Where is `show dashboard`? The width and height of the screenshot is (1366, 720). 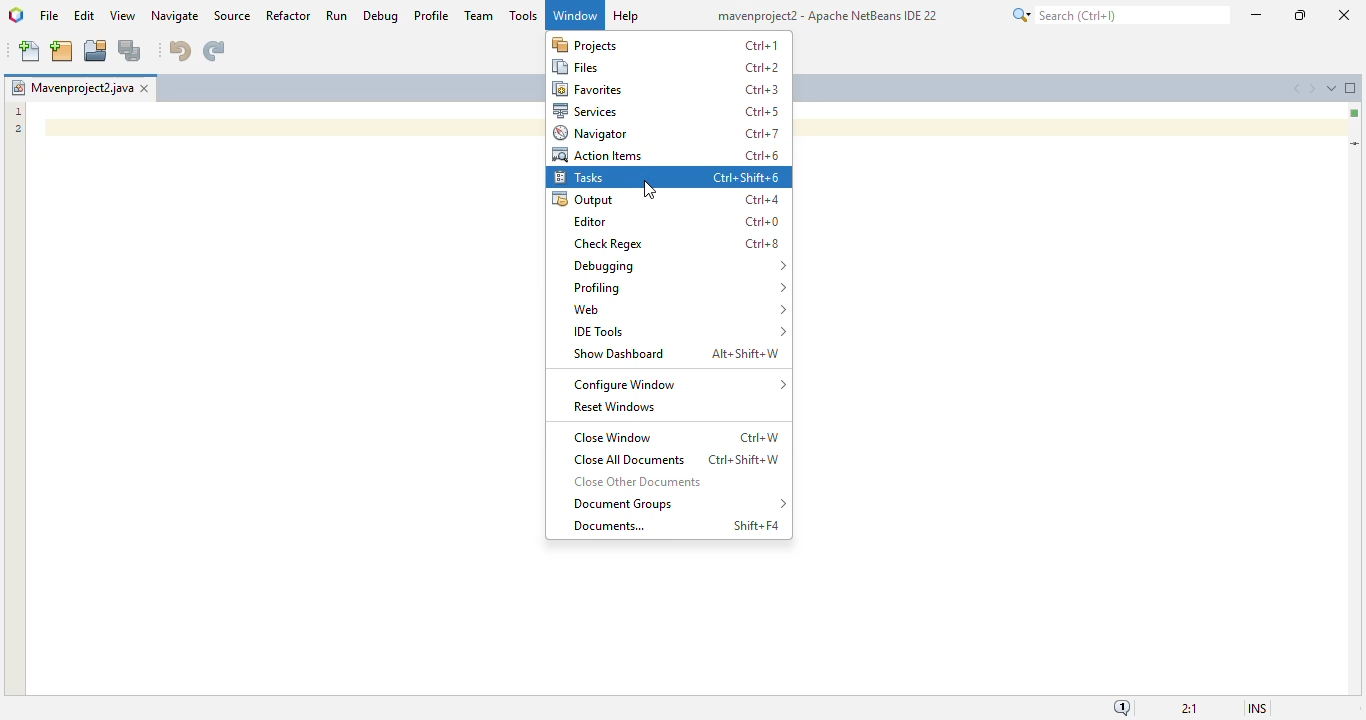 show dashboard is located at coordinates (618, 353).